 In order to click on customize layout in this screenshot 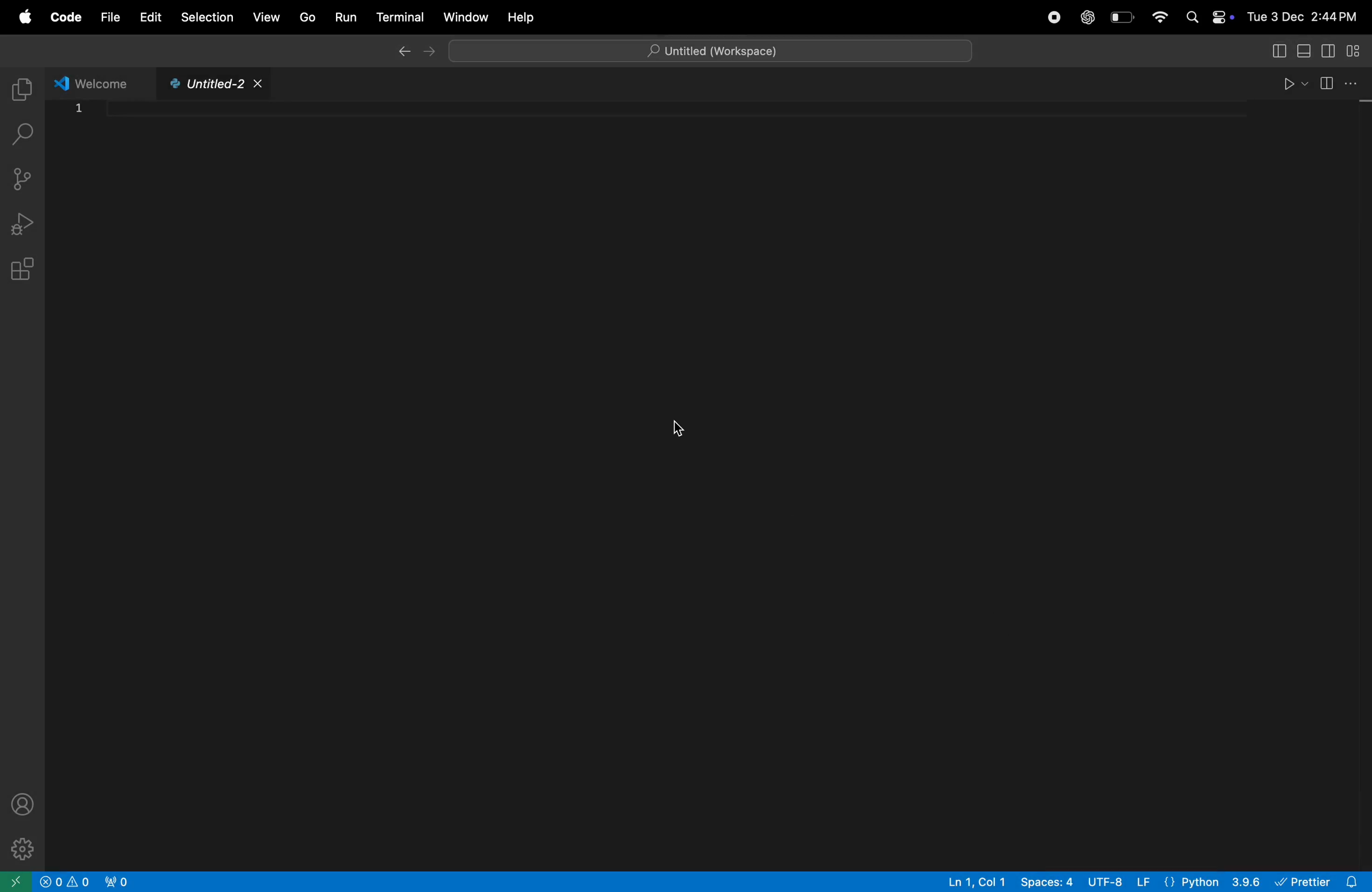, I will do `click(1358, 50)`.